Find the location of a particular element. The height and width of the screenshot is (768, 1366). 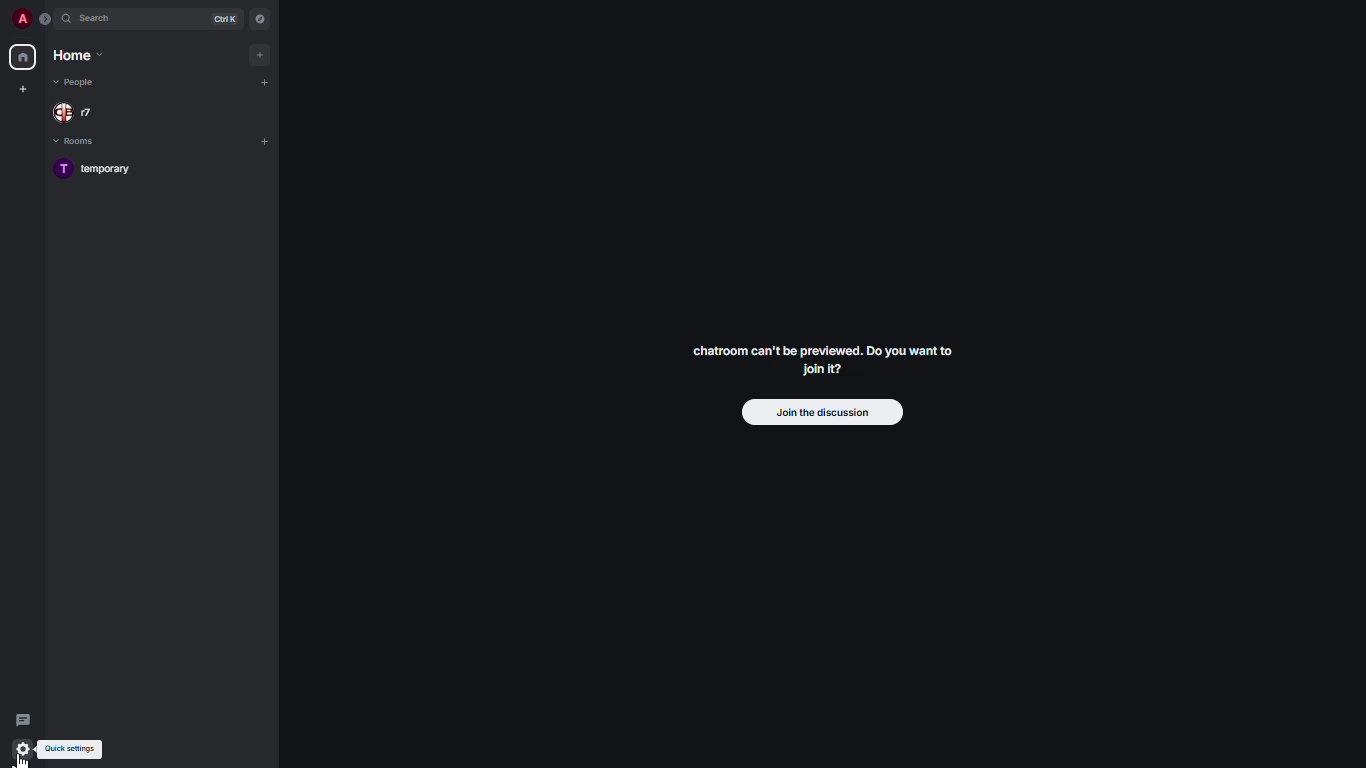

quick settings is located at coordinates (73, 751).